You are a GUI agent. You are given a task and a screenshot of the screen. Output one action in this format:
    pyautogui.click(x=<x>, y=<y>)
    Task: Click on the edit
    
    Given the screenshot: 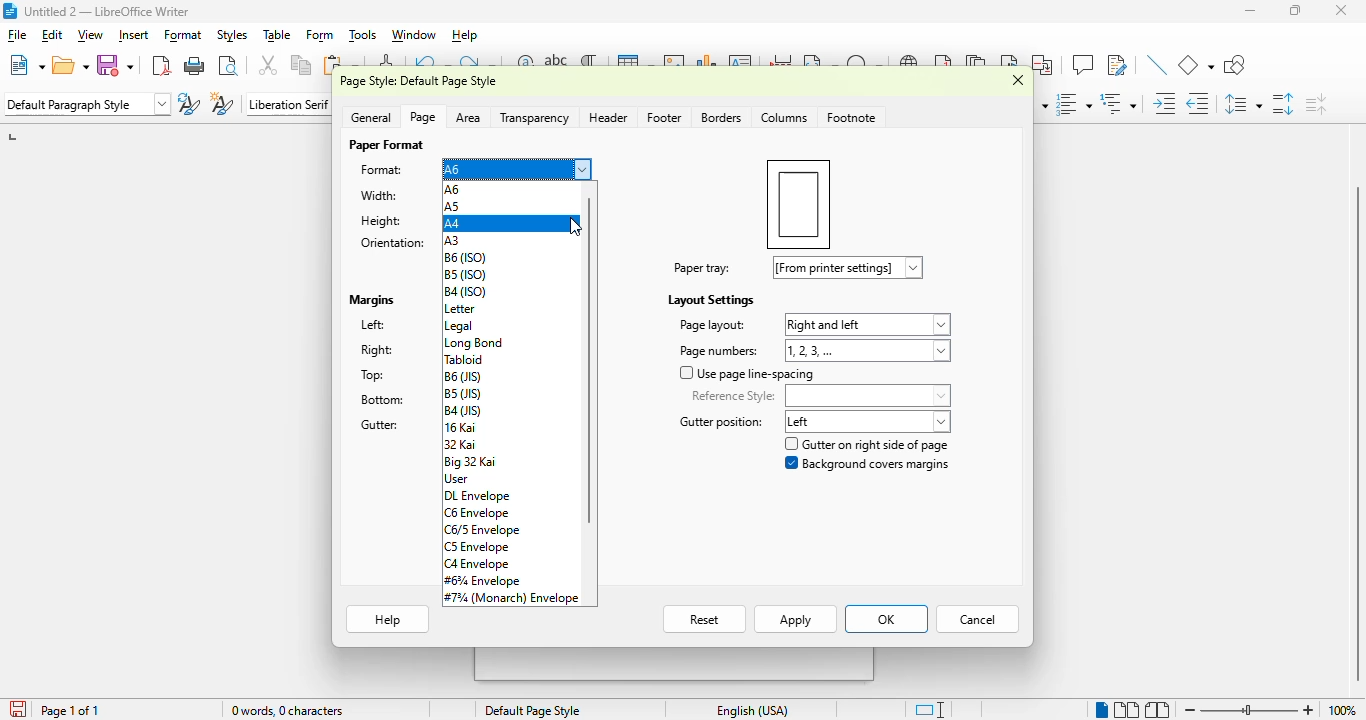 What is the action you would take?
    pyautogui.click(x=52, y=34)
    